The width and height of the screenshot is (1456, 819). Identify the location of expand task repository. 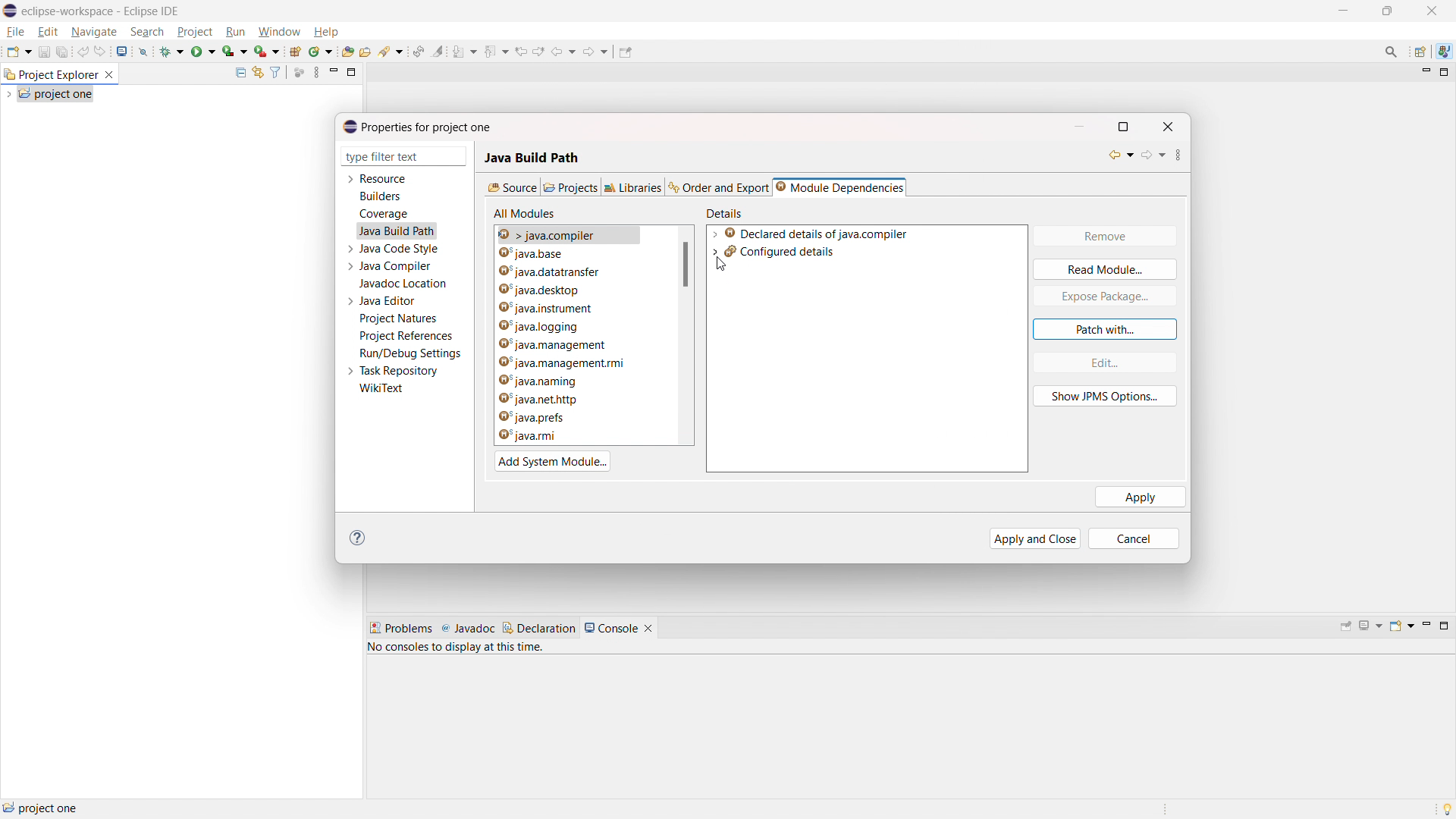
(349, 372).